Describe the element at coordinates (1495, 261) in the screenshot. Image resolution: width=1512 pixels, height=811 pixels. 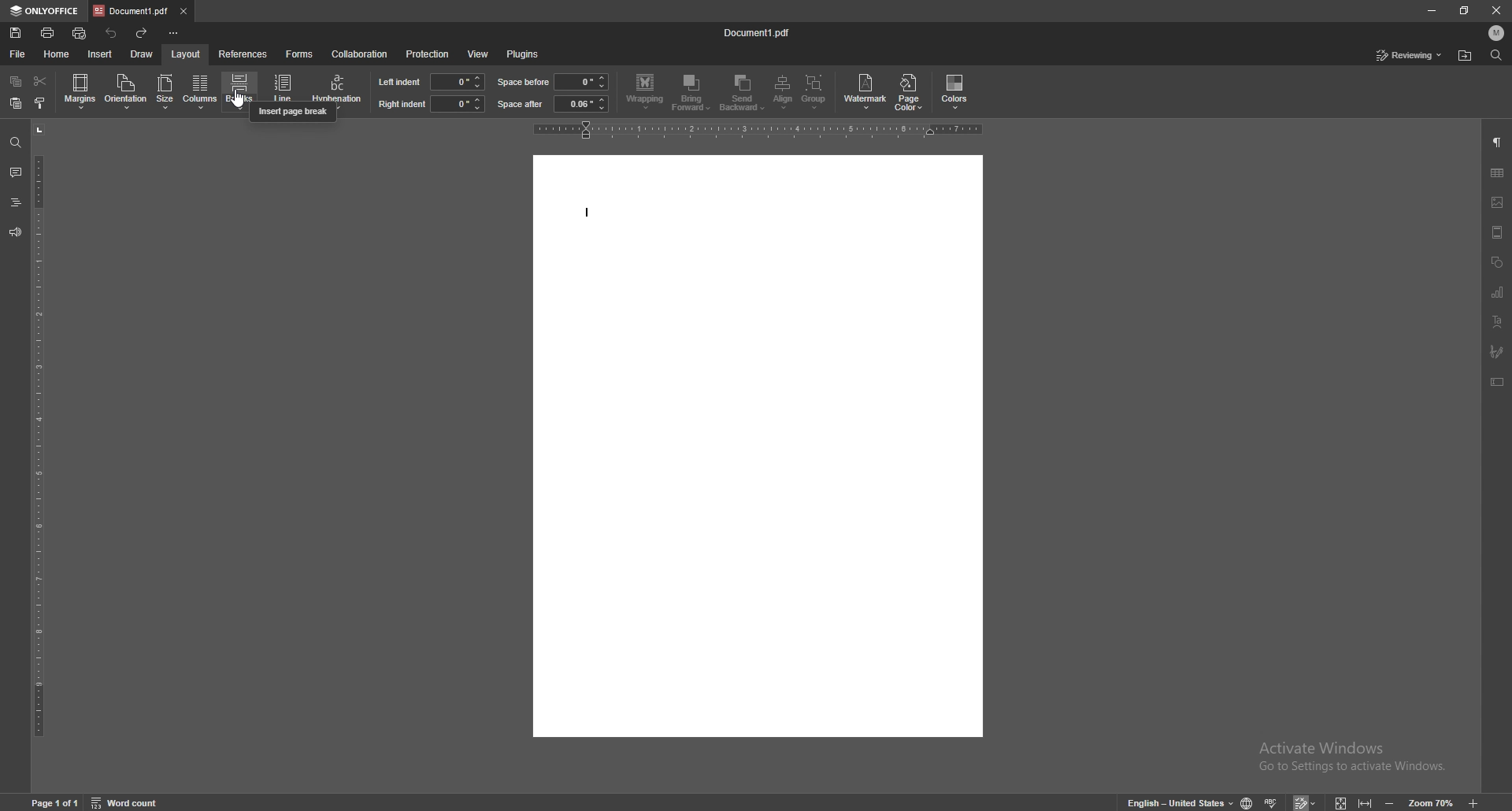
I see `shapes` at that location.